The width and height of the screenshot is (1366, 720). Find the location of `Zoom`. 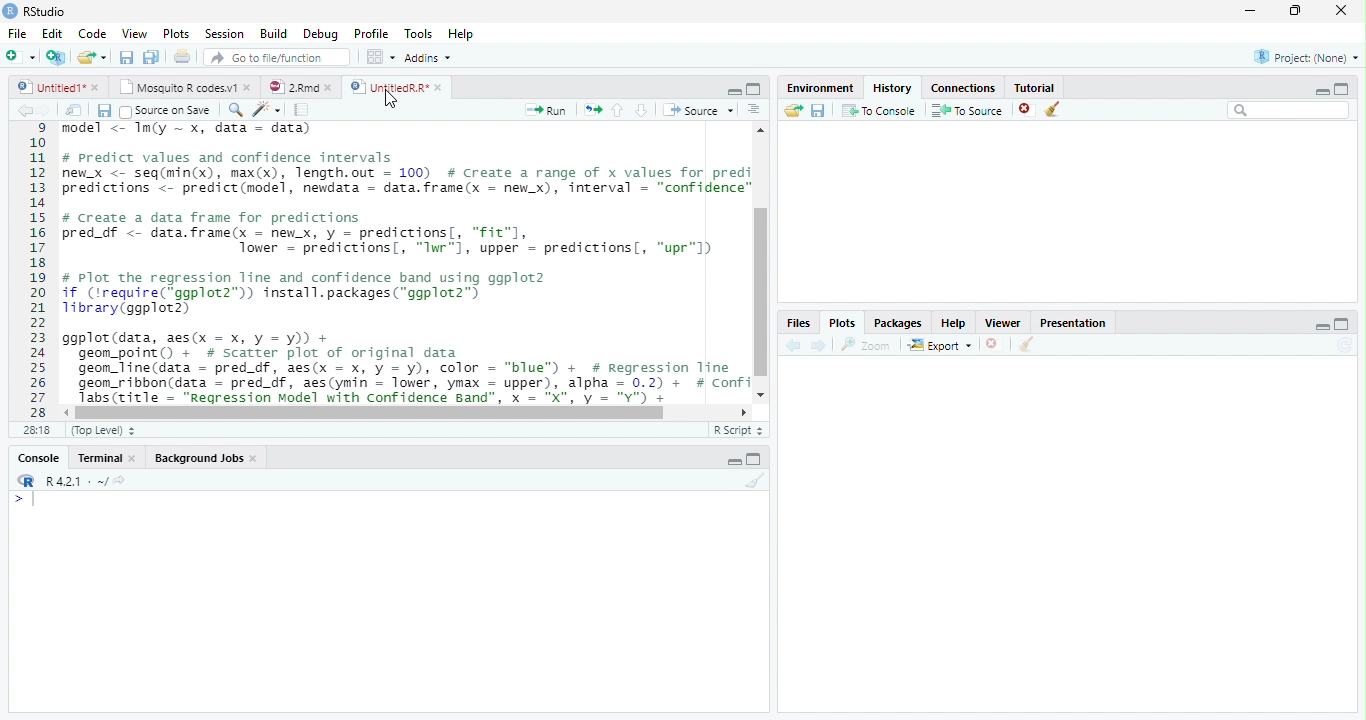

Zoom is located at coordinates (235, 112).